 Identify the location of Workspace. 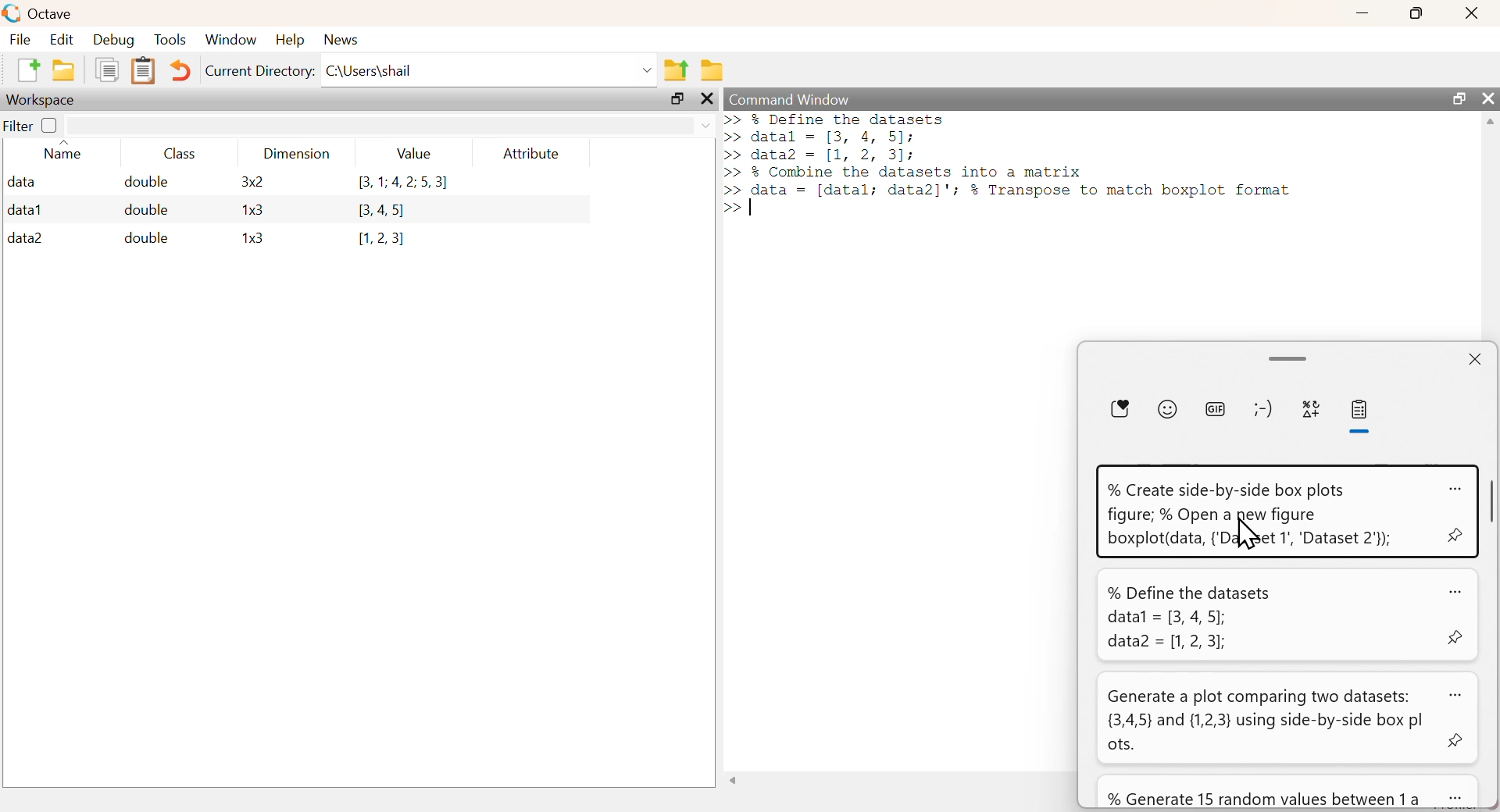
(43, 100).